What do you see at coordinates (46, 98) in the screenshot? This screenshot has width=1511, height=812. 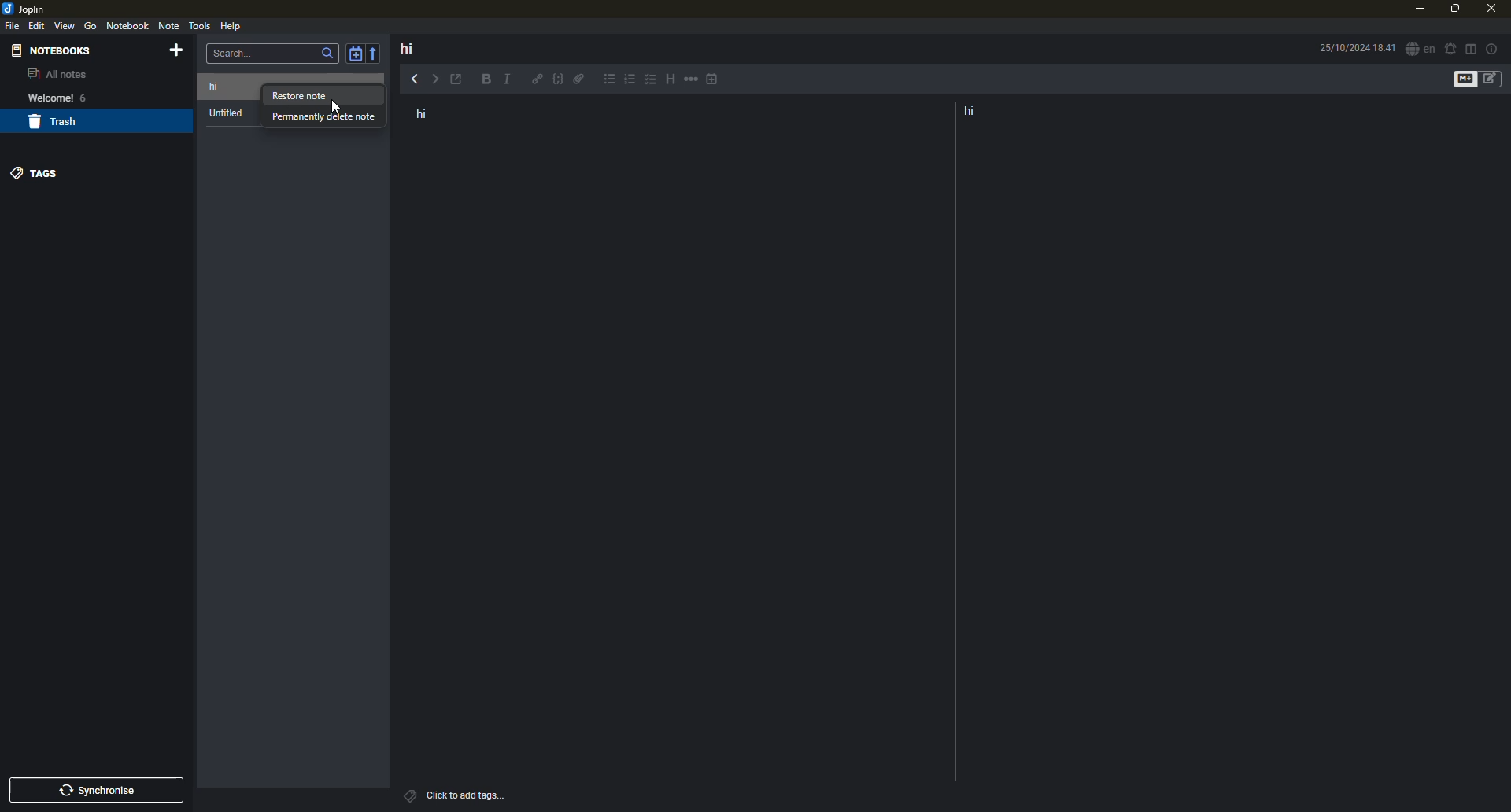 I see `welcome!` at bounding box center [46, 98].